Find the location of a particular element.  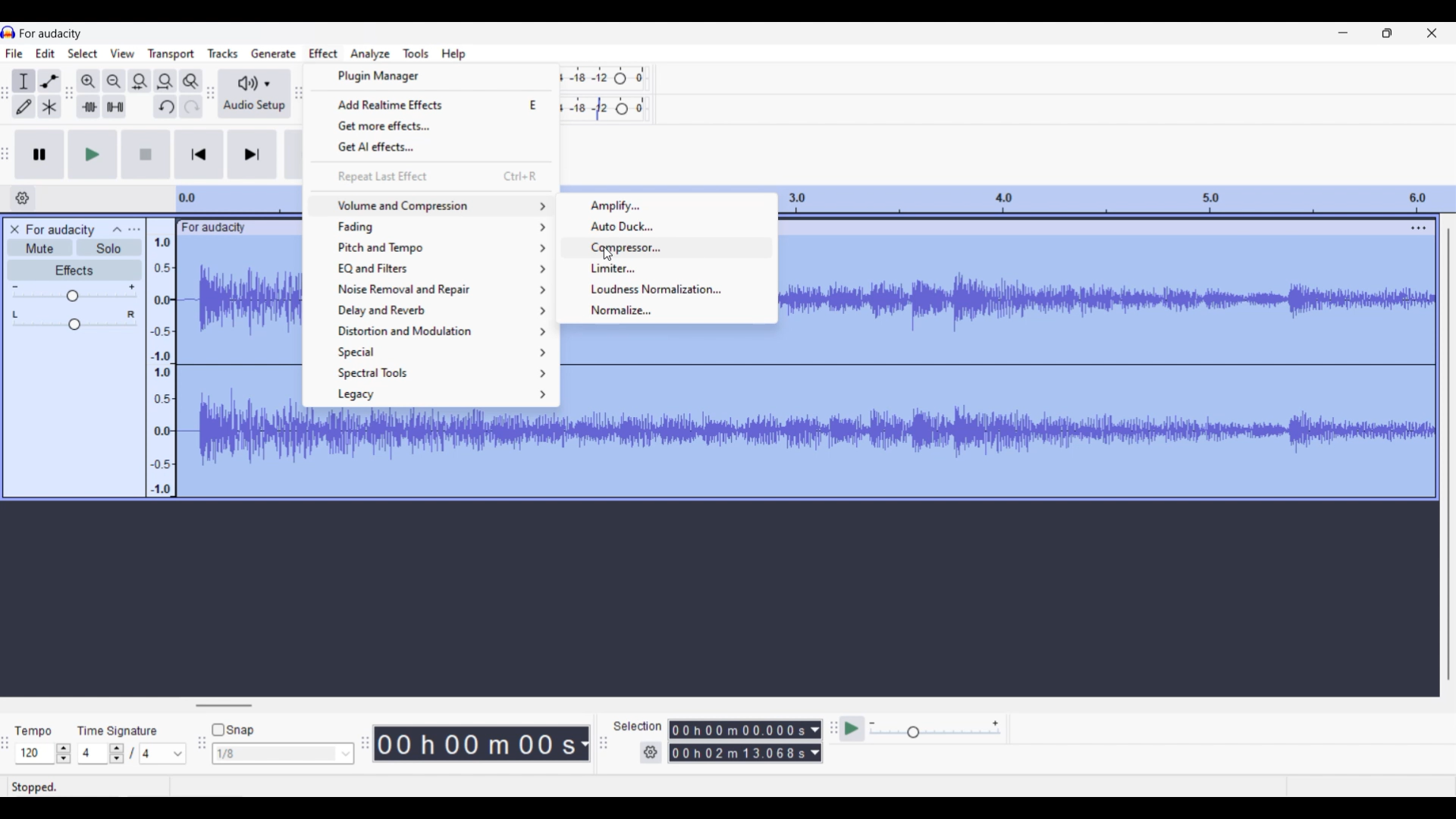

Close track is located at coordinates (14, 229).